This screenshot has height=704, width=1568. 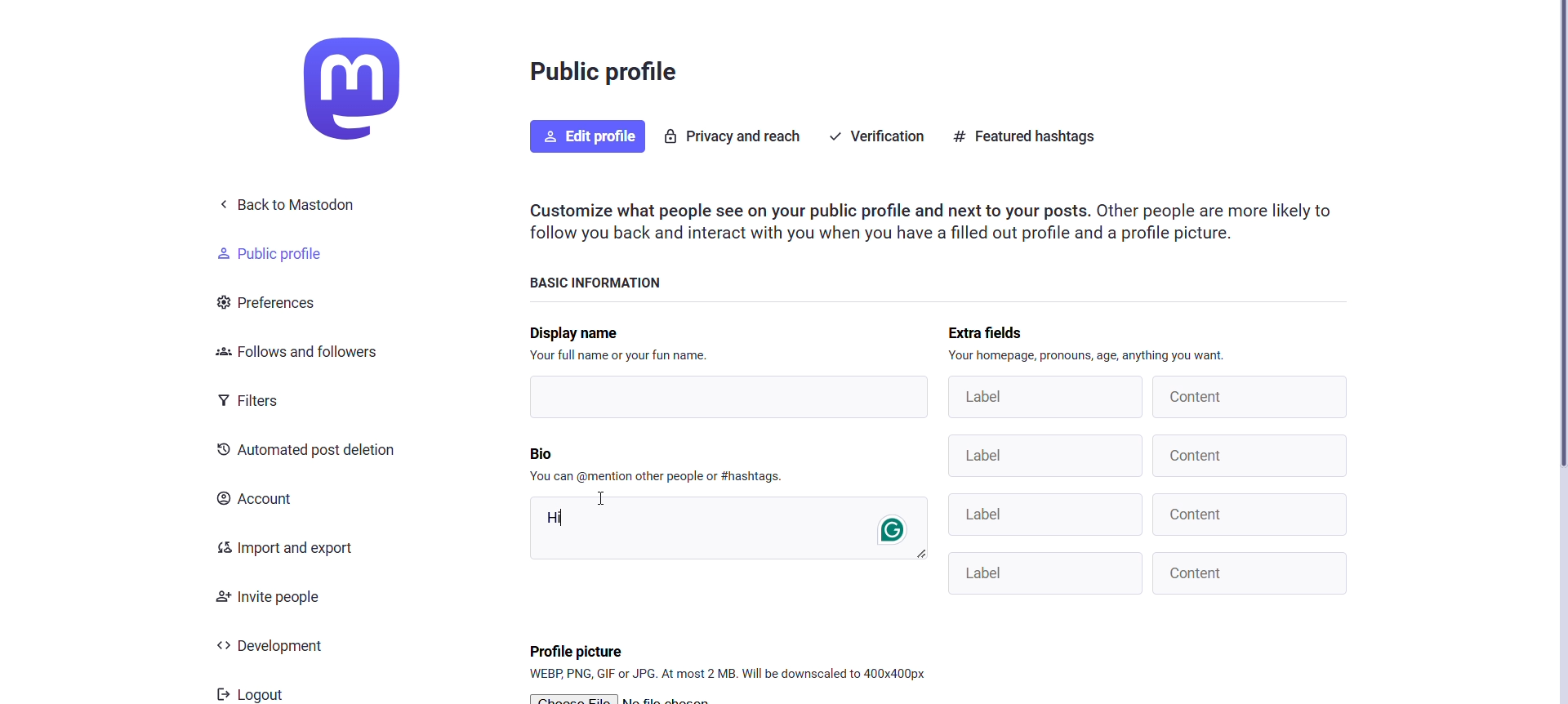 What do you see at coordinates (875, 136) in the screenshot?
I see `Verification` at bounding box center [875, 136].